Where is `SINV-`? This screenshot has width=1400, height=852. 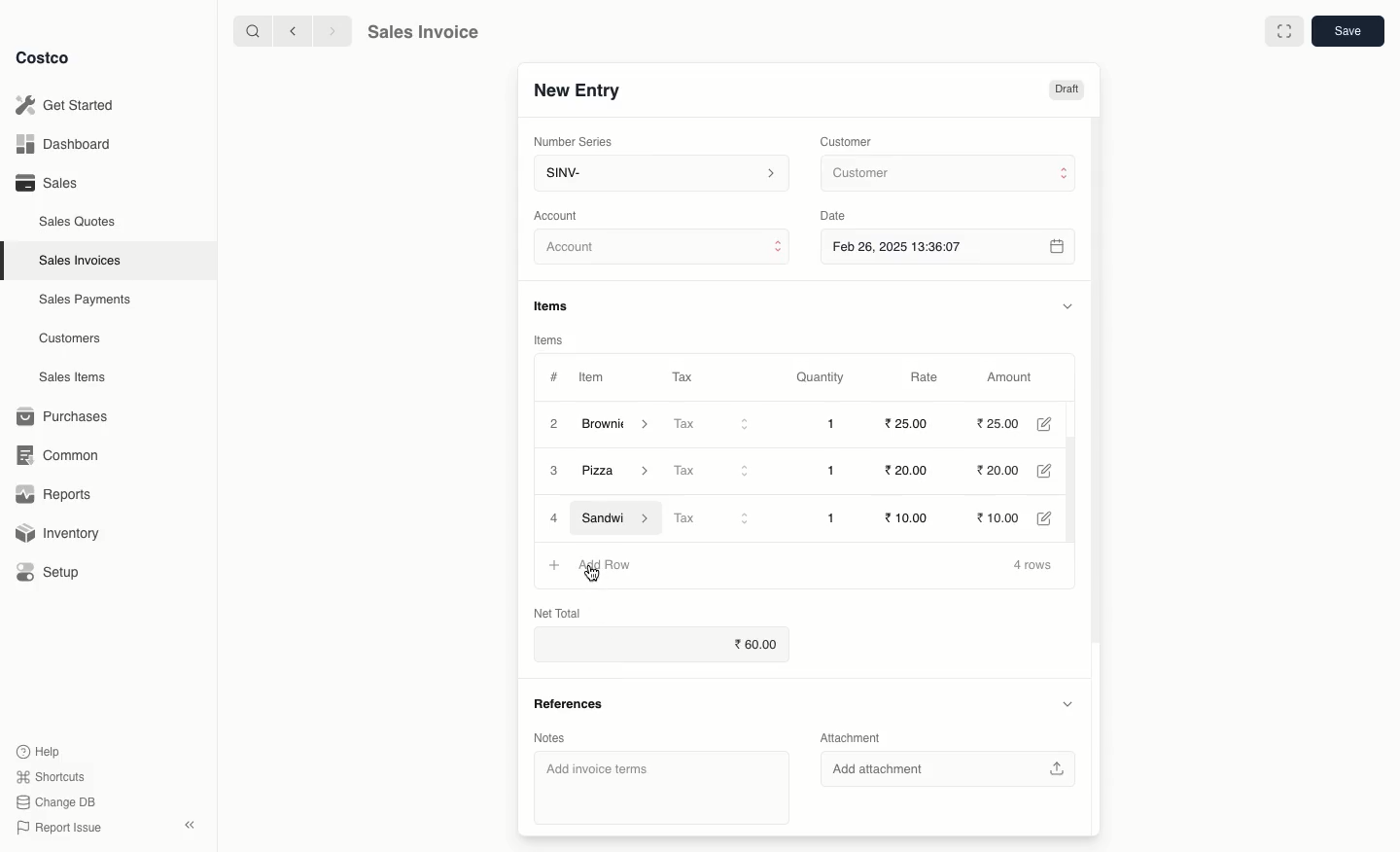 SINV- is located at coordinates (660, 175).